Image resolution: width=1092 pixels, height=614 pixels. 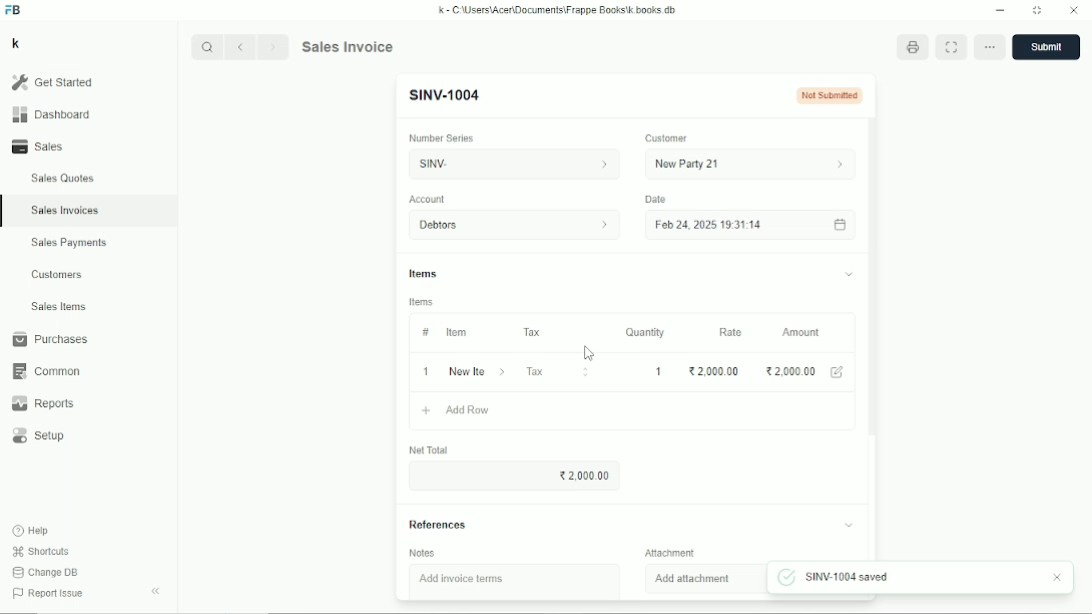 I want to click on Close, so click(x=1074, y=11).